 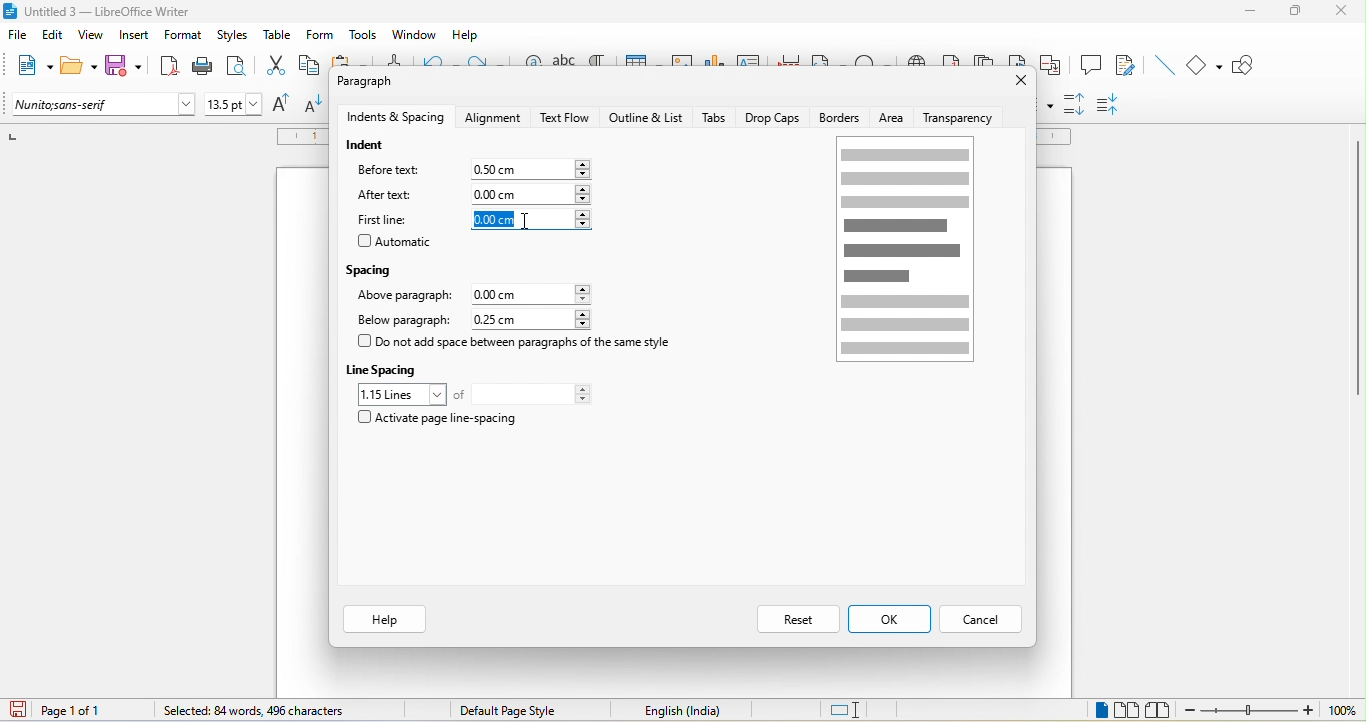 What do you see at coordinates (517, 320) in the screenshot?
I see `0.25 cm` at bounding box center [517, 320].